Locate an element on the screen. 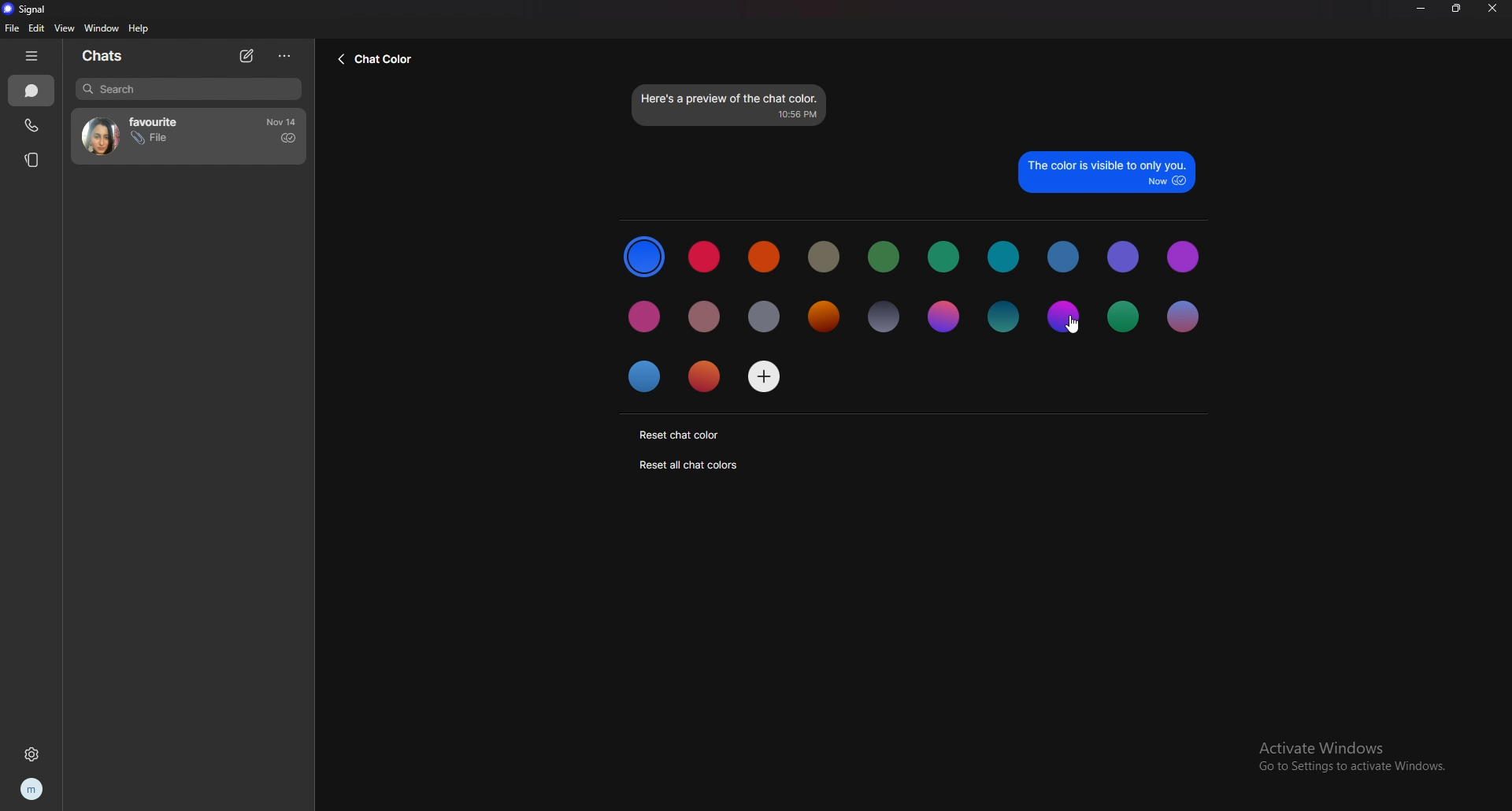 The height and width of the screenshot is (811, 1512). chats is located at coordinates (31, 91).